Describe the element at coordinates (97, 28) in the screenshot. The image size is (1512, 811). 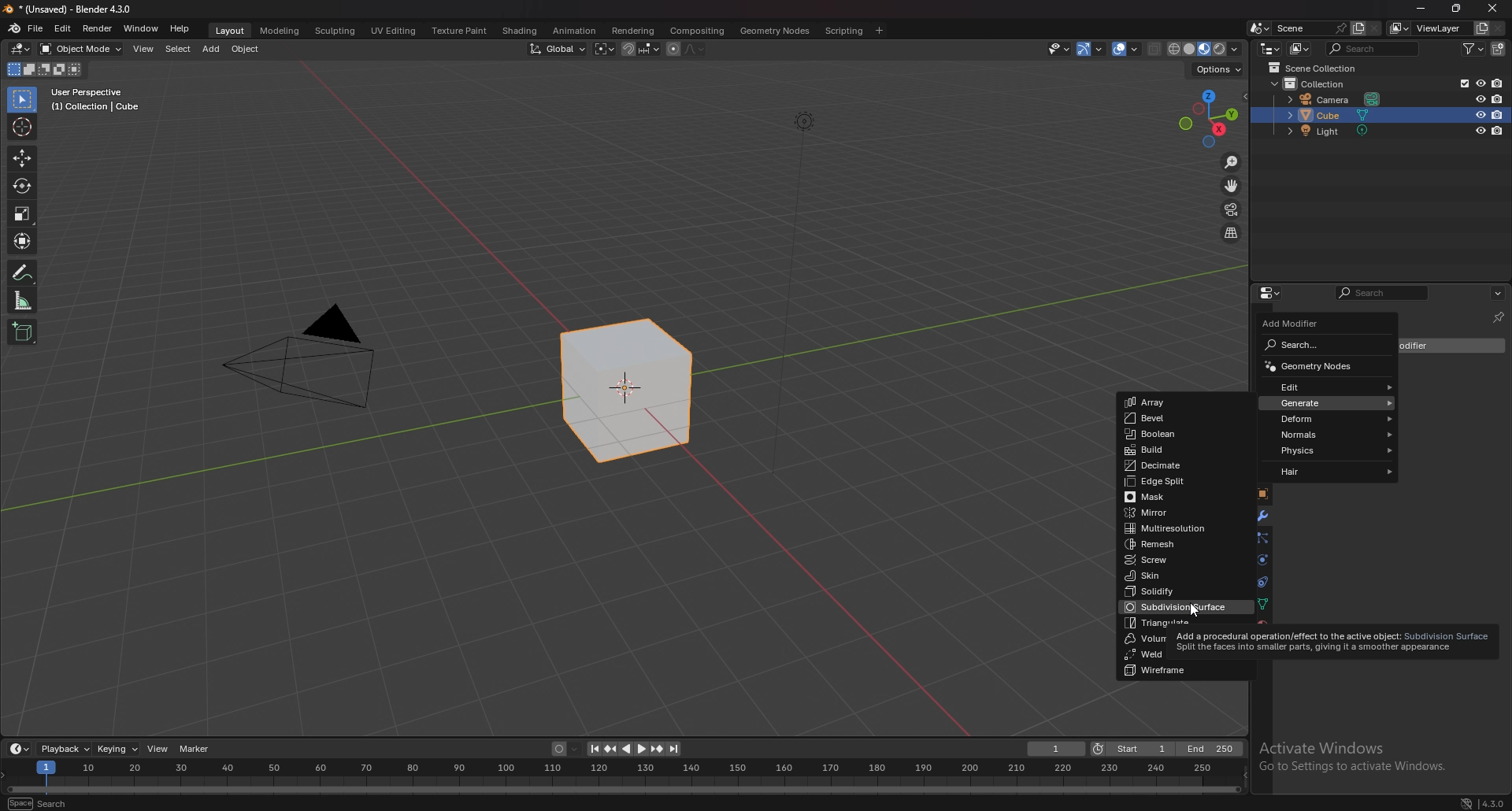
I see `render` at that location.